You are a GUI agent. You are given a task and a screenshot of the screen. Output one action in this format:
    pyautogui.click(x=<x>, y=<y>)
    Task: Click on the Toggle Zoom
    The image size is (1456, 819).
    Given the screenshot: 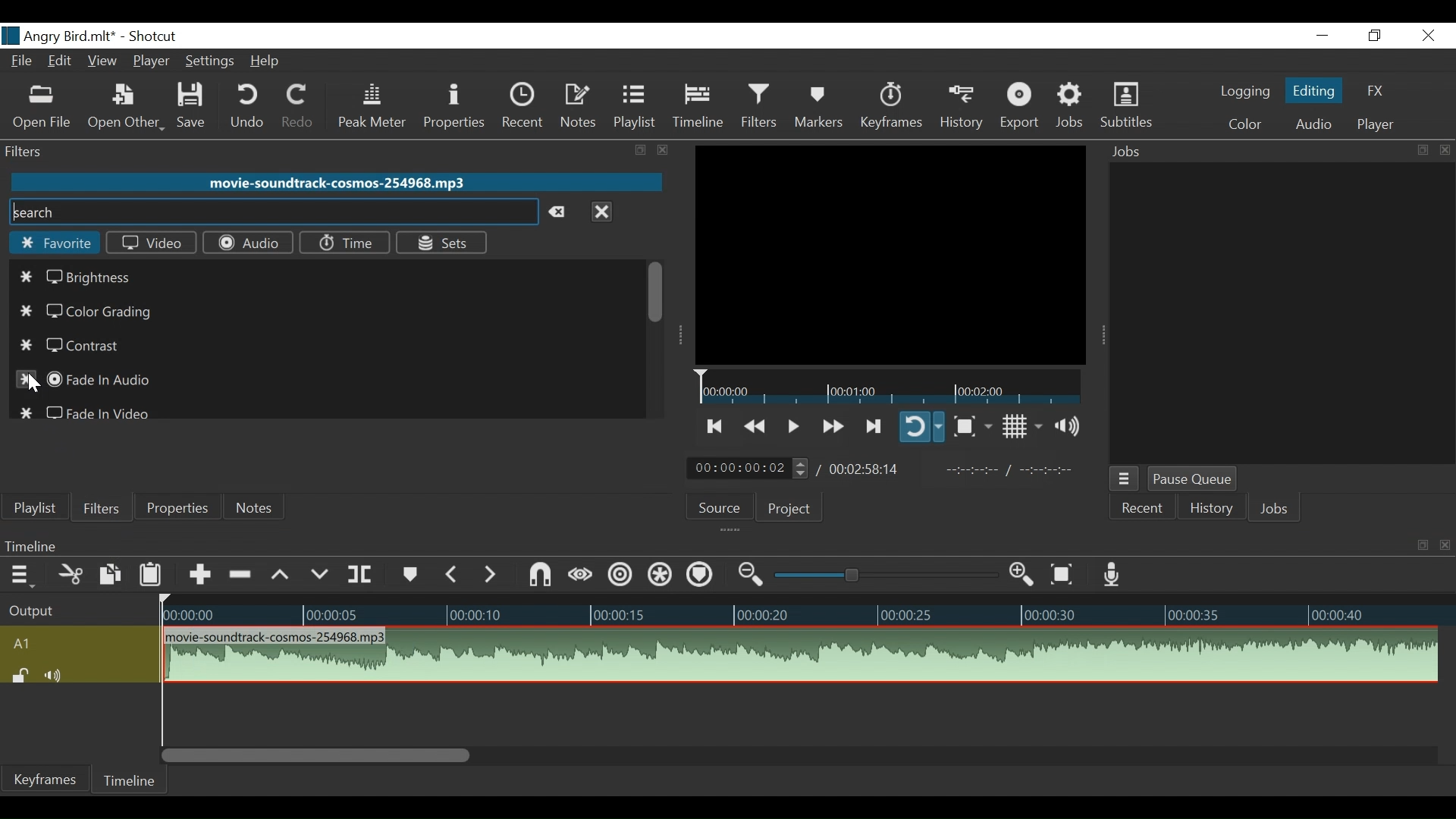 What is the action you would take?
    pyautogui.click(x=972, y=425)
    